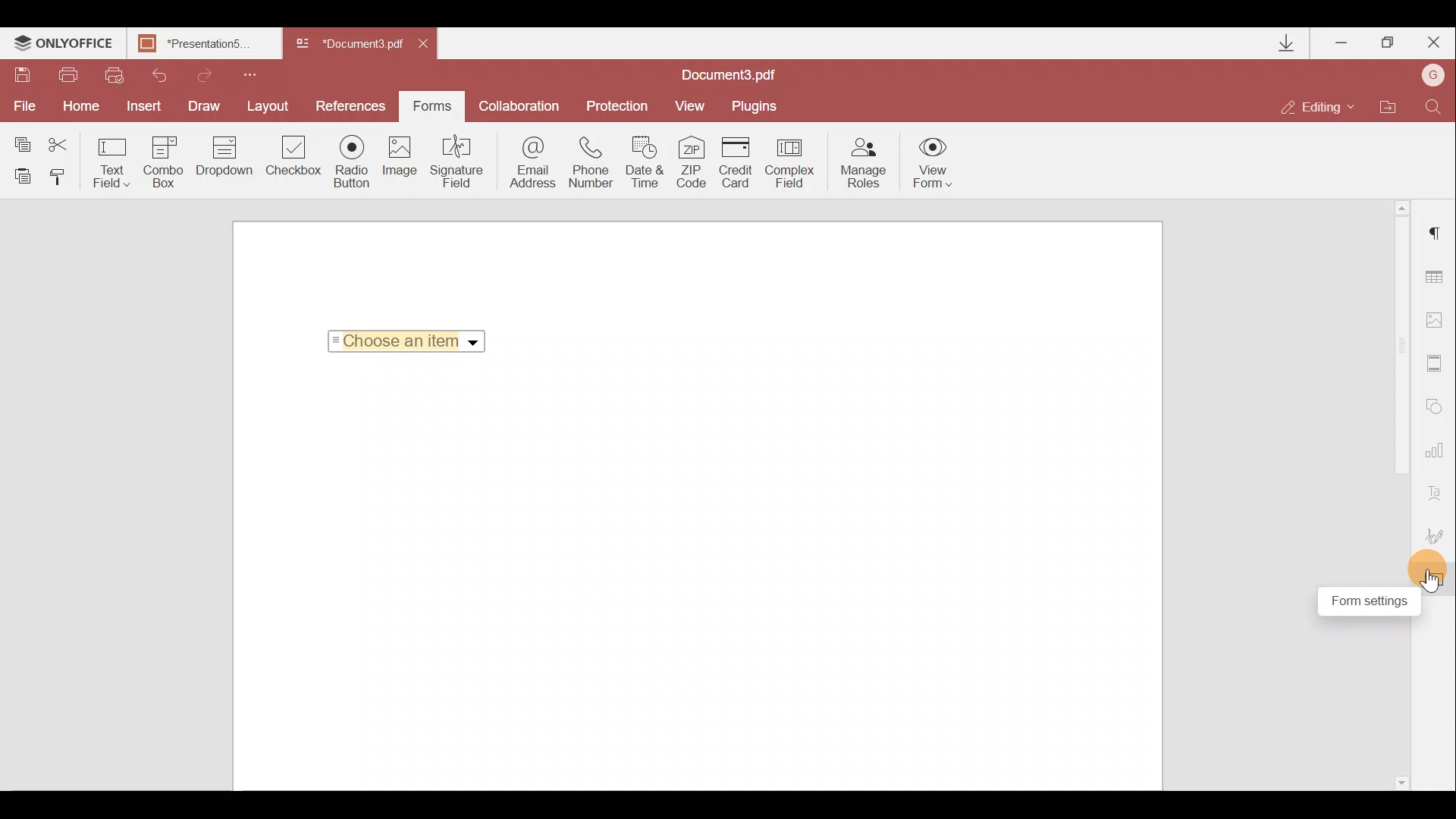 Image resolution: width=1456 pixels, height=819 pixels. I want to click on Open file location, so click(1387, 108).